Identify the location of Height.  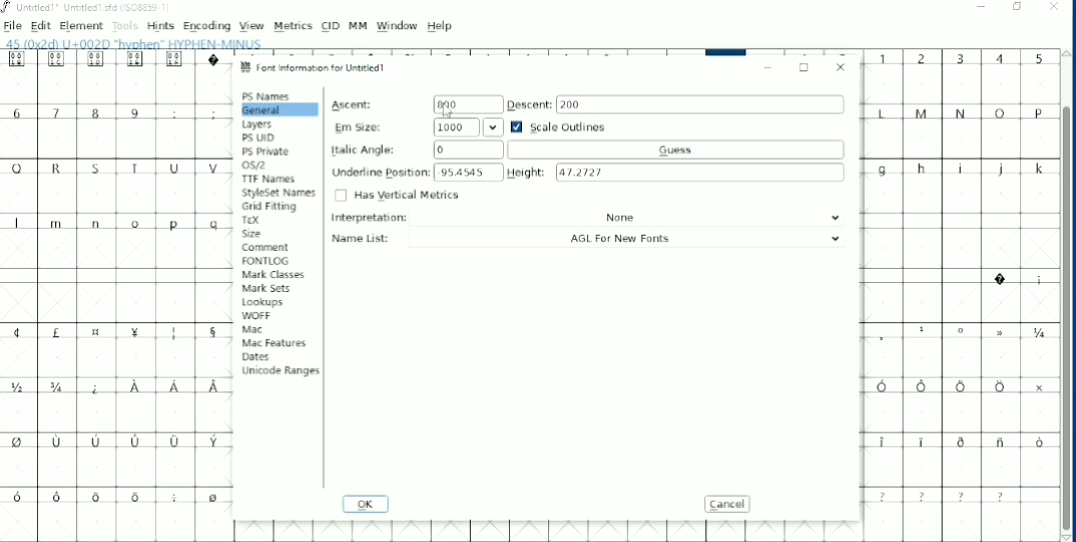
(676, 171).